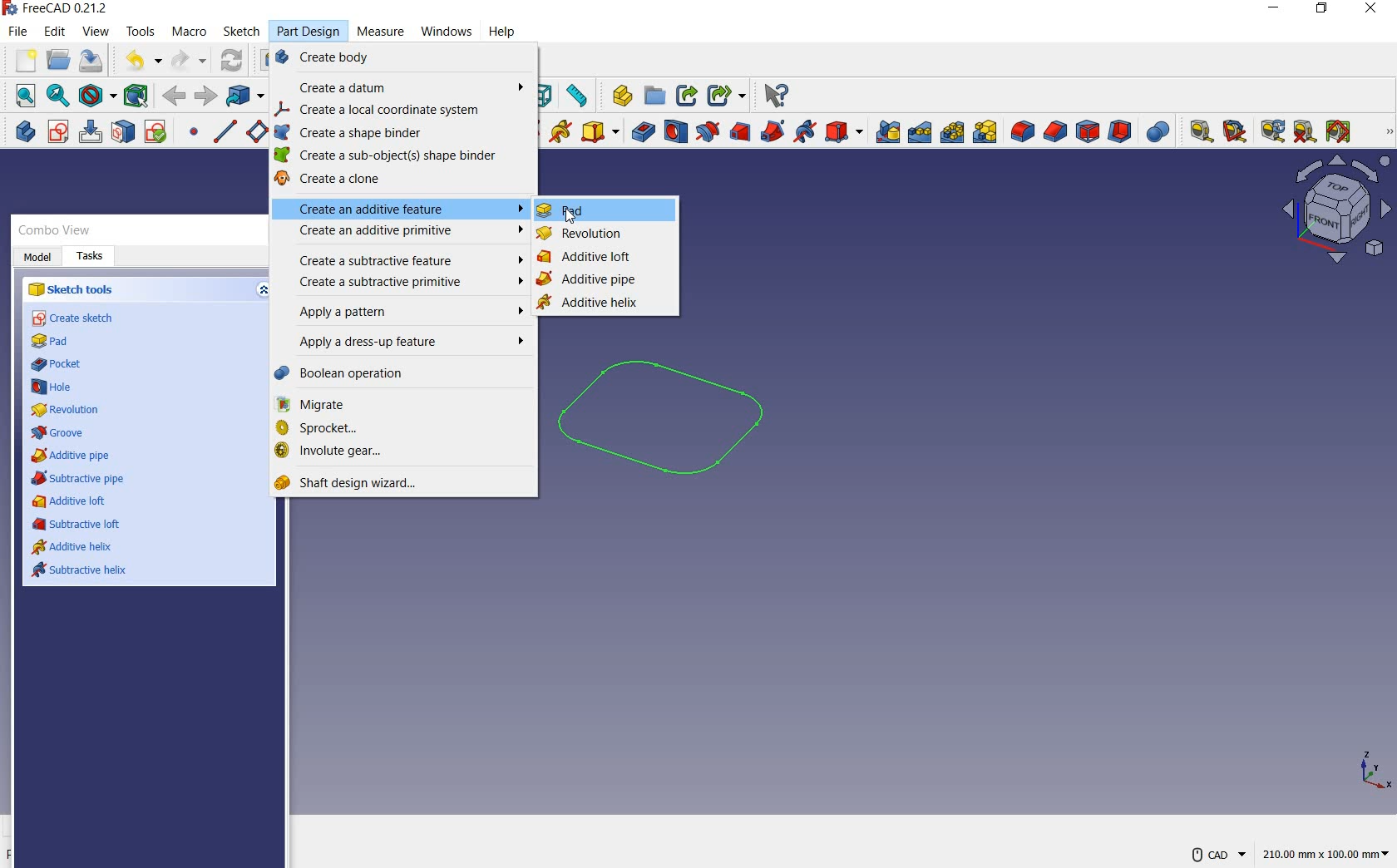 Image resolution: width=1397 pixels, height=868 pixels. Describe the element at coordinates (405, 258) in the screenshot. I see `create a subtractive feature` at that location.